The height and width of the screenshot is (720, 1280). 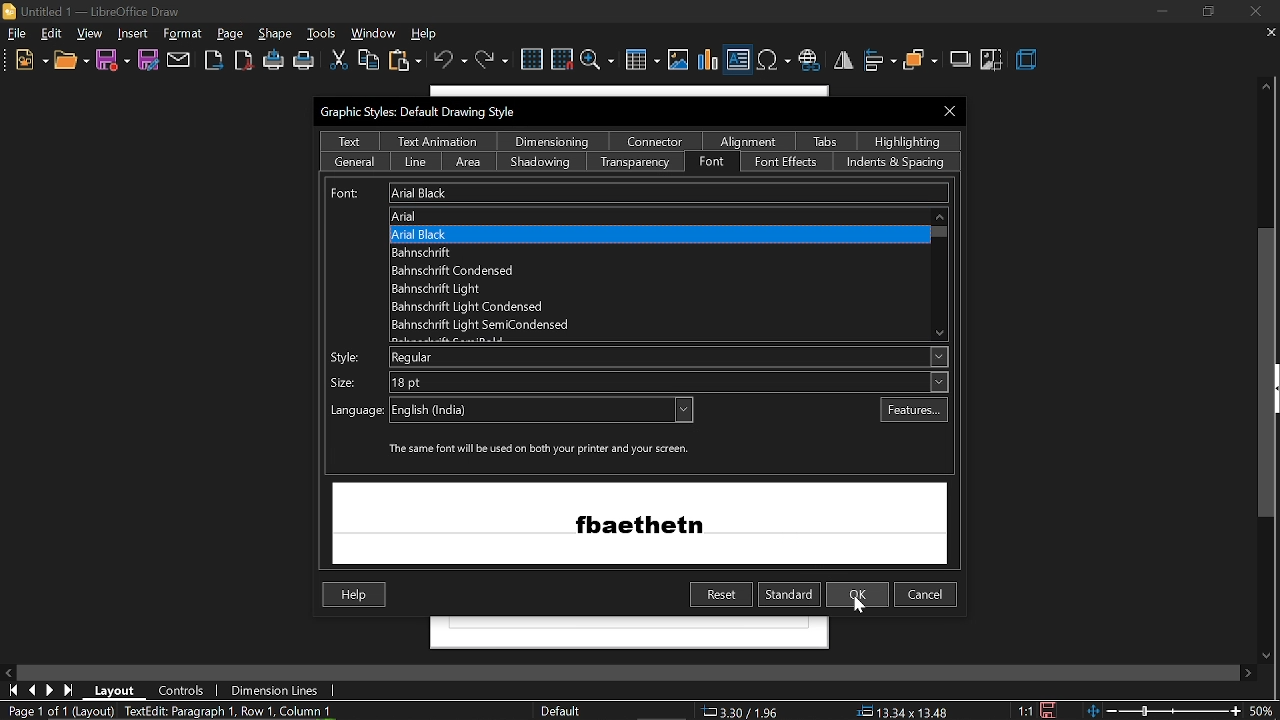 What do you see at coordinates (562, 58) in the screenshot?
I see `snap to grid` at bounding box center [562, 58].